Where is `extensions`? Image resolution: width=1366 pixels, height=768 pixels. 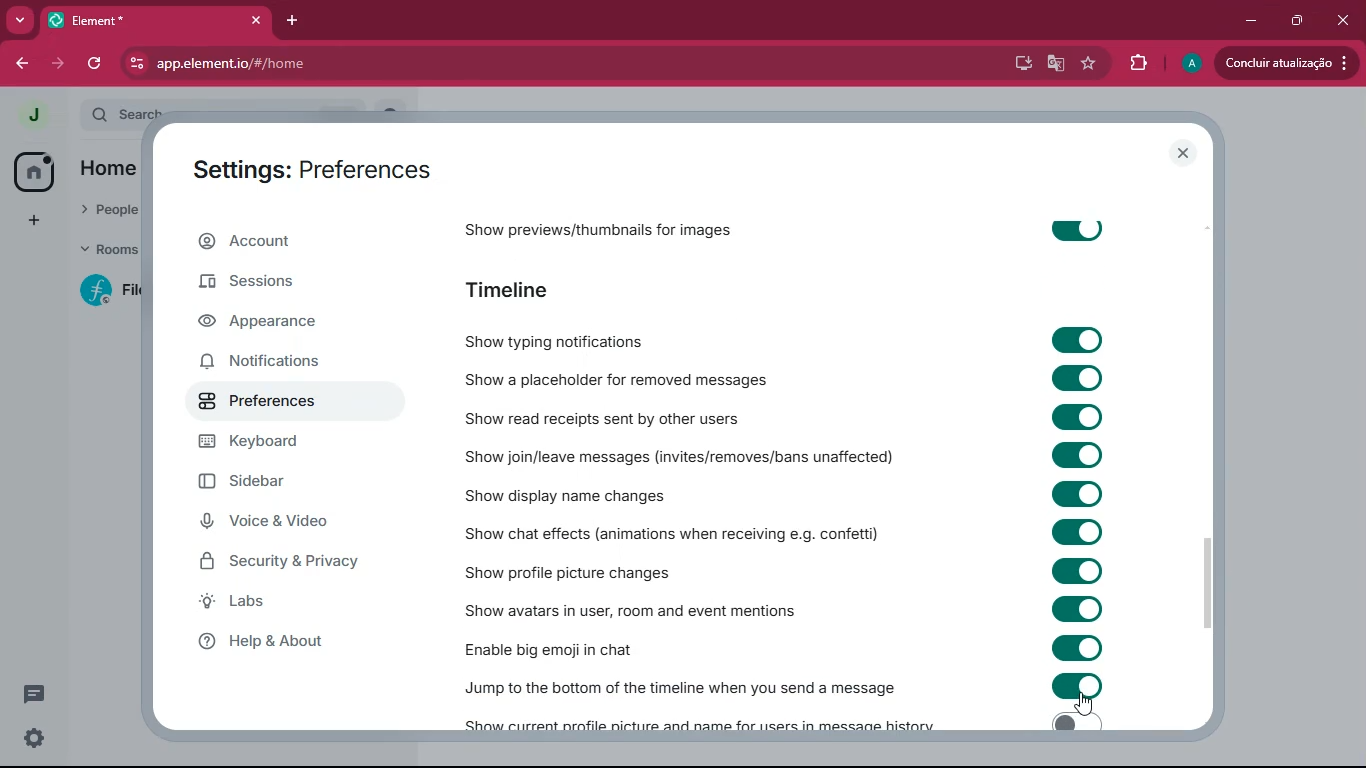
extensions is located at coordinates (1139, 64).